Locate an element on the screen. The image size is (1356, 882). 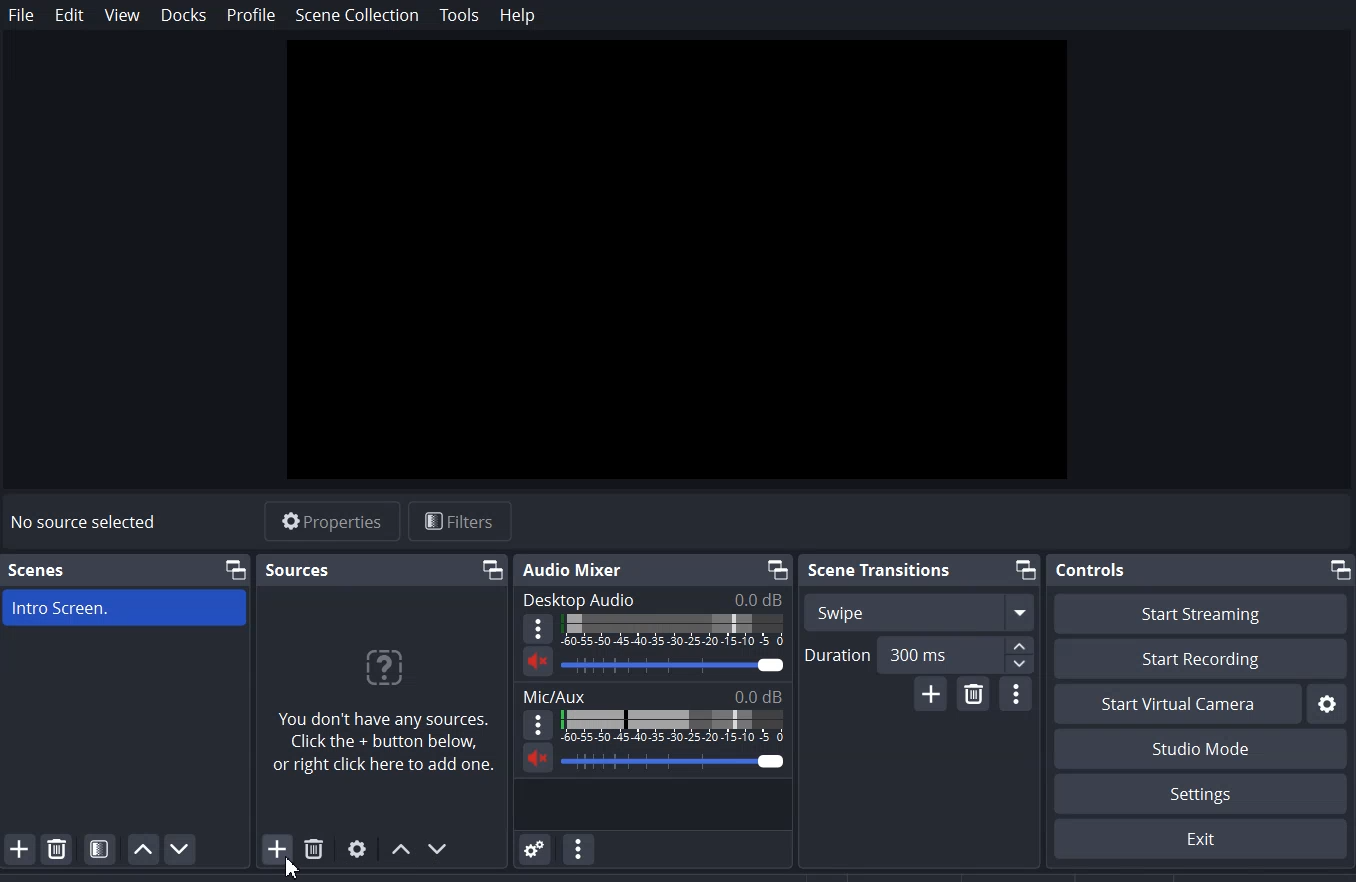
Swipe is located at coordinates (917, 610).